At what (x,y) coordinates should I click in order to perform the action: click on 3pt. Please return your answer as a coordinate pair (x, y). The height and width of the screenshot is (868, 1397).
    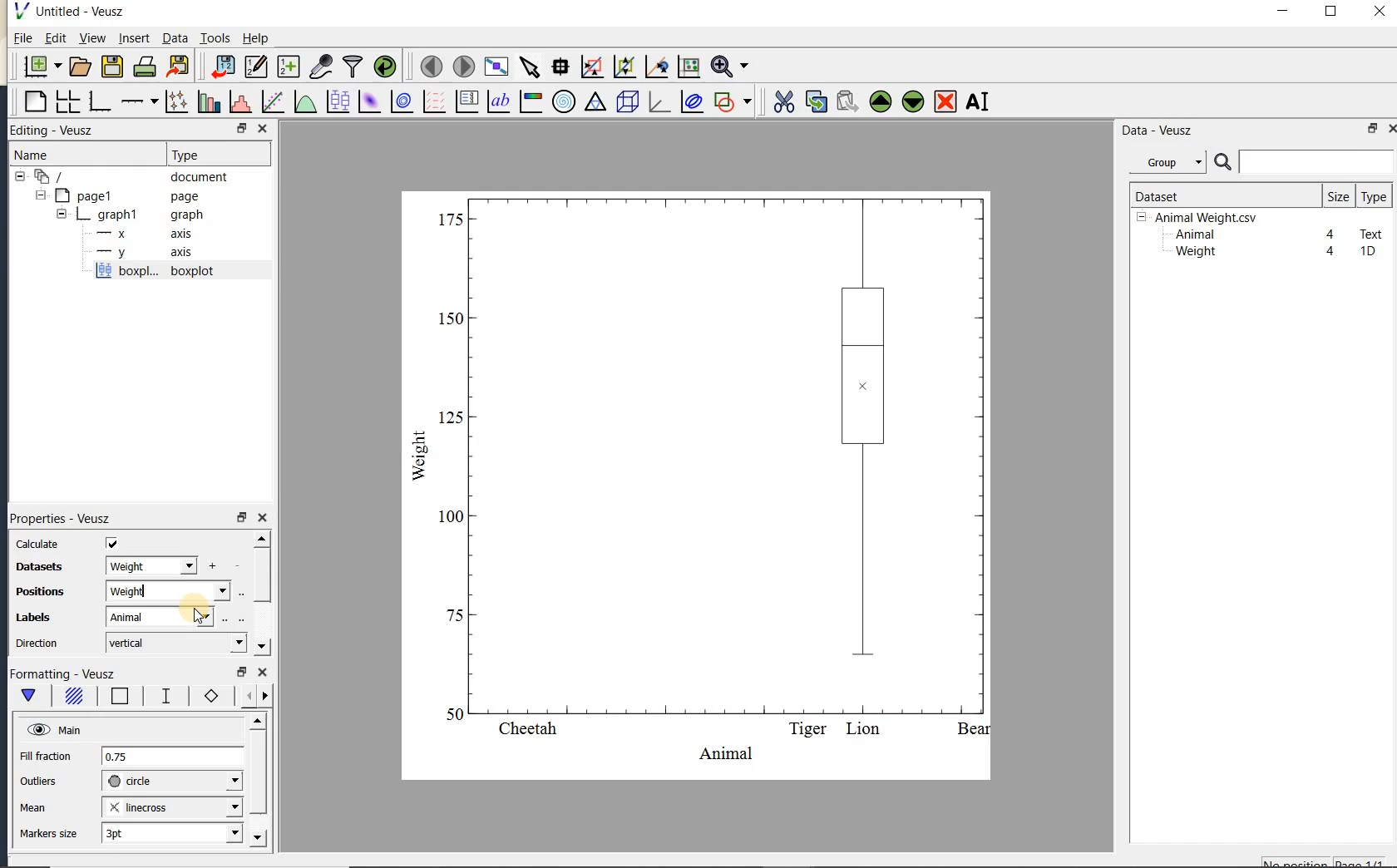
    Looking at the image, I should click on (170, 832).